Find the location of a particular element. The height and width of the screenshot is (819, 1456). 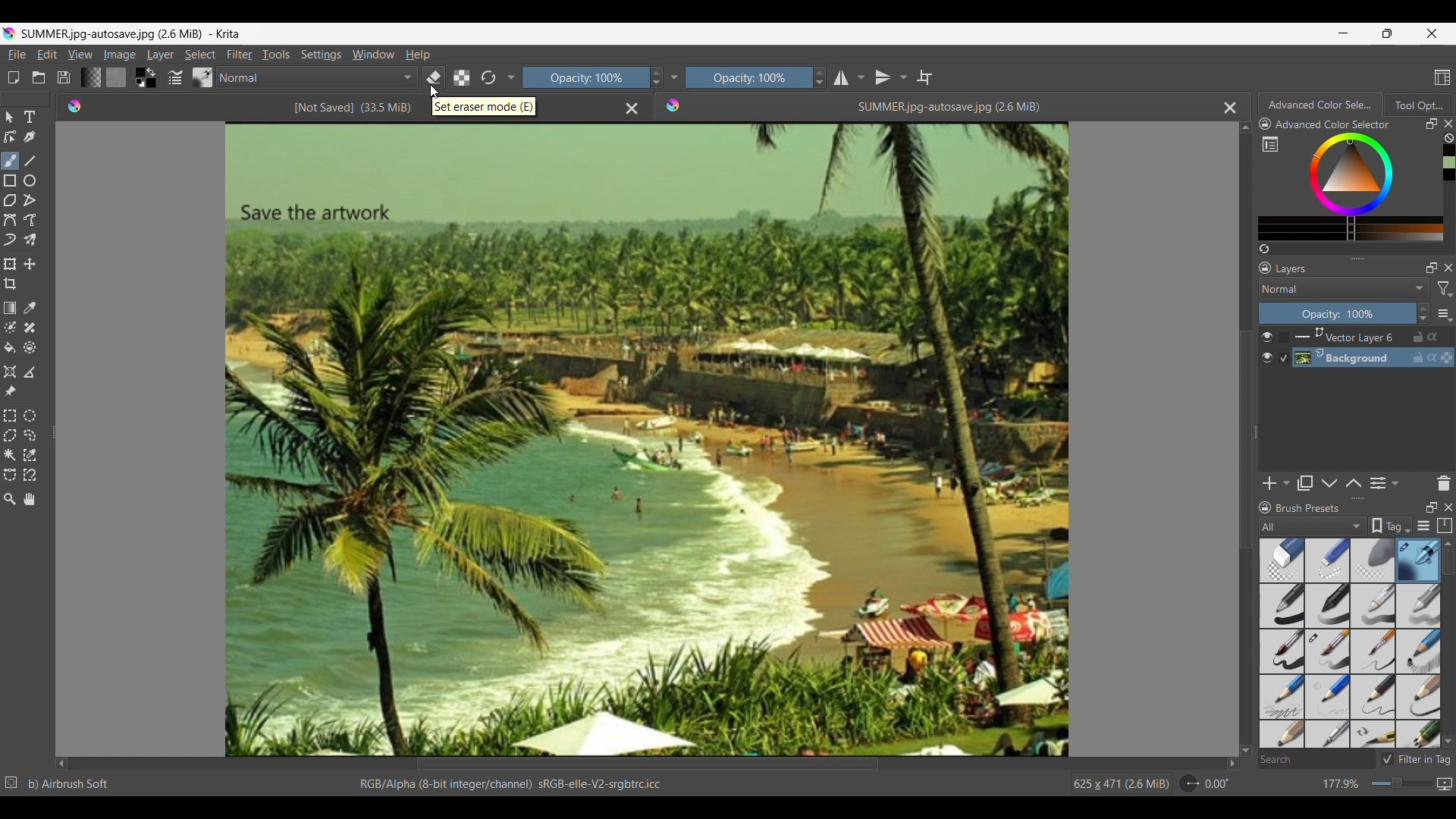

Elliptical selection tool is located at coordinates (30, 416).